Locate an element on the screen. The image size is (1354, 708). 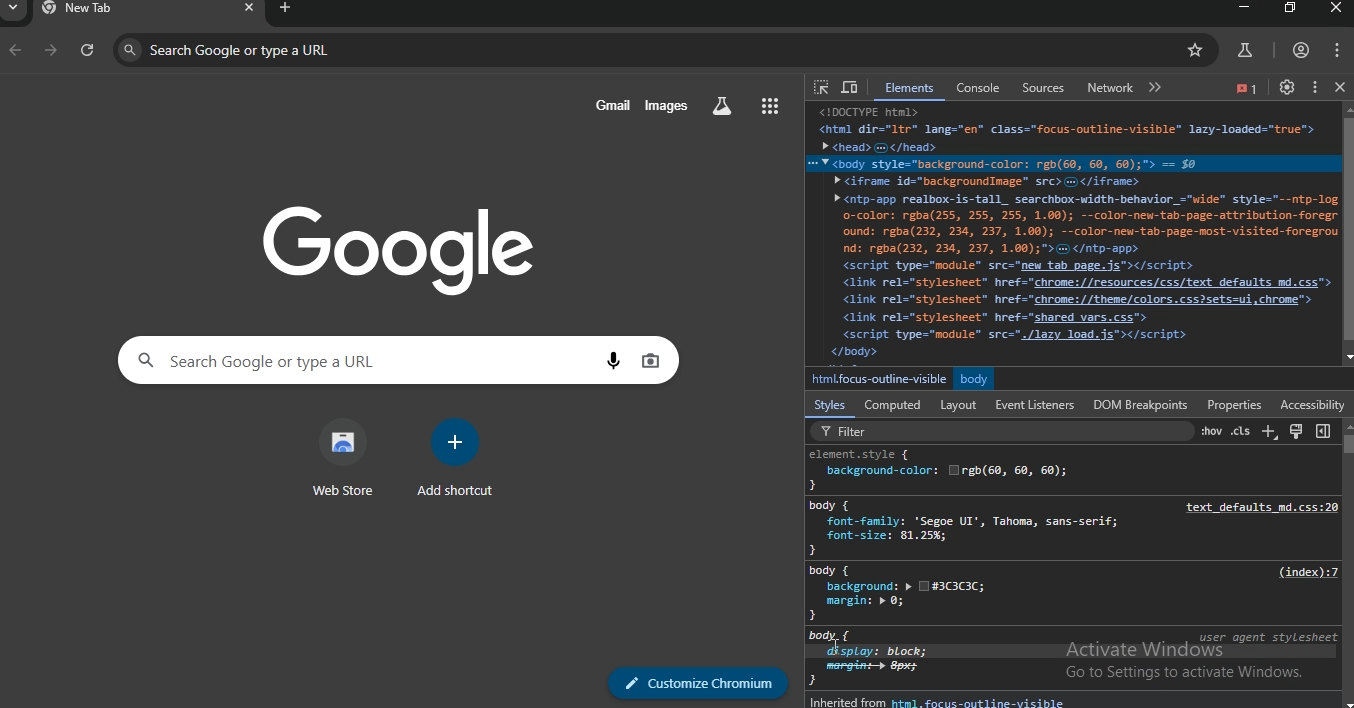
image search is located at coordinates (656, 361).